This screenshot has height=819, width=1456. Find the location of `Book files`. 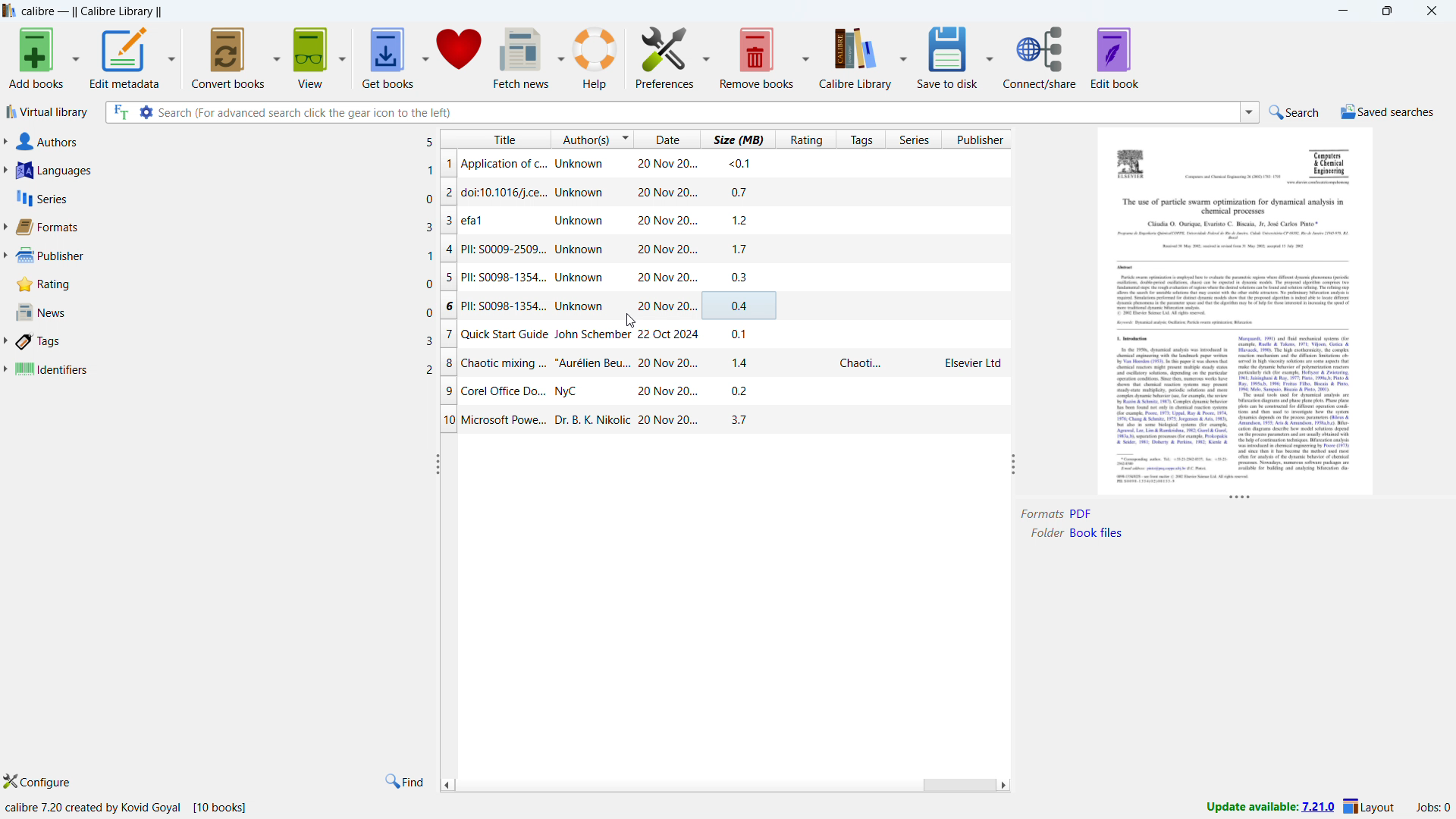

Book files is located at coordinates (1097, 533).